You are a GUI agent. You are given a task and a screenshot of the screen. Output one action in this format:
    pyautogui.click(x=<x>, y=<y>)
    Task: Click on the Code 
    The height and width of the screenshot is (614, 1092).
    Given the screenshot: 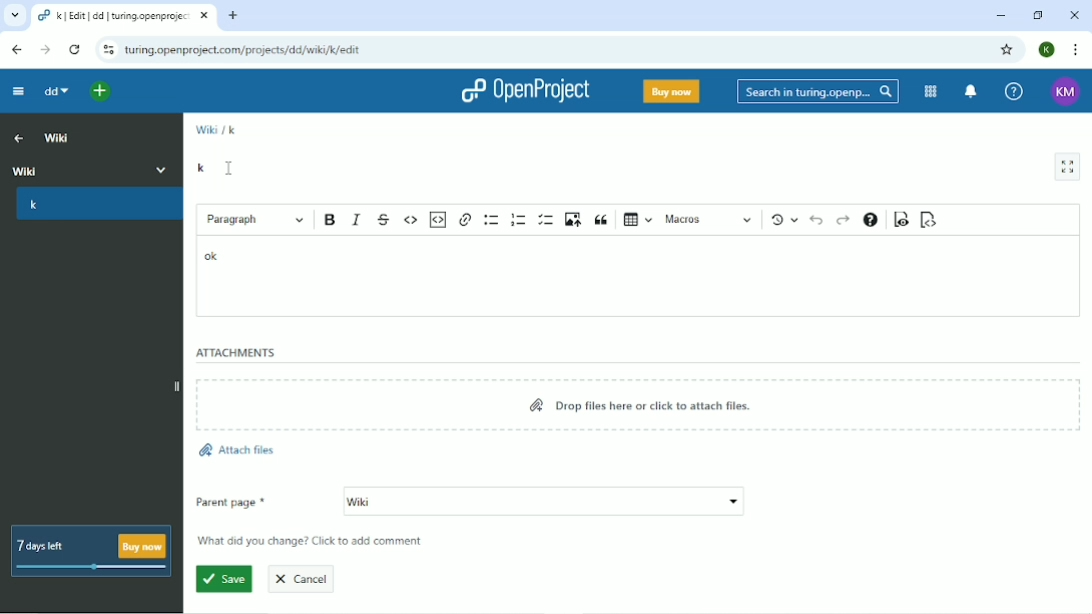 What is the action you would take?
    pyautogui.click(x=411, y=218)
    